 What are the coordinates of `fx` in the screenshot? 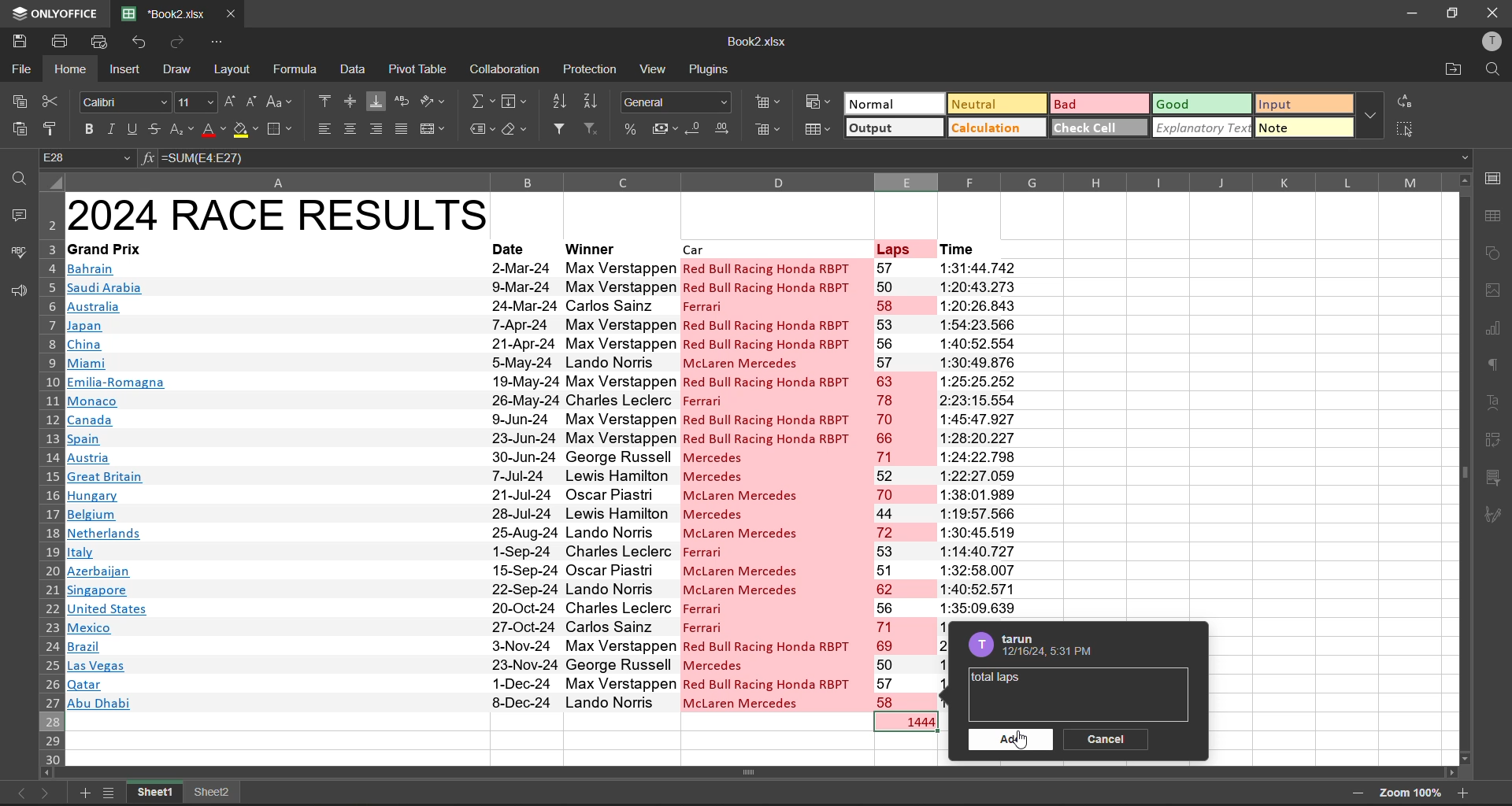 It's located at (148, 157).